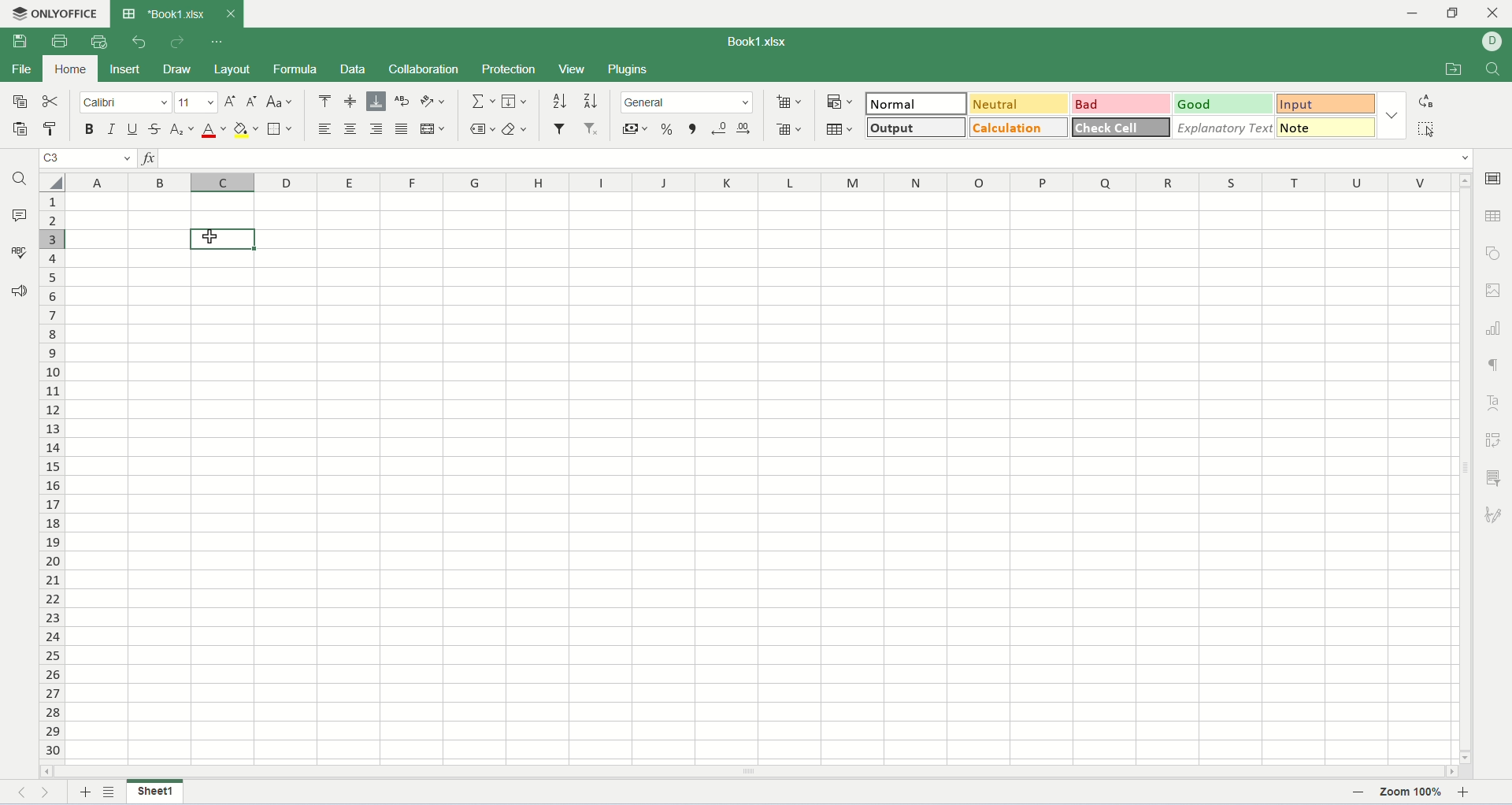 This screenshot has width=1512, height=805. Describe the element at coordinates (149, 158) in the screenshot. I see `insert function` at that location.